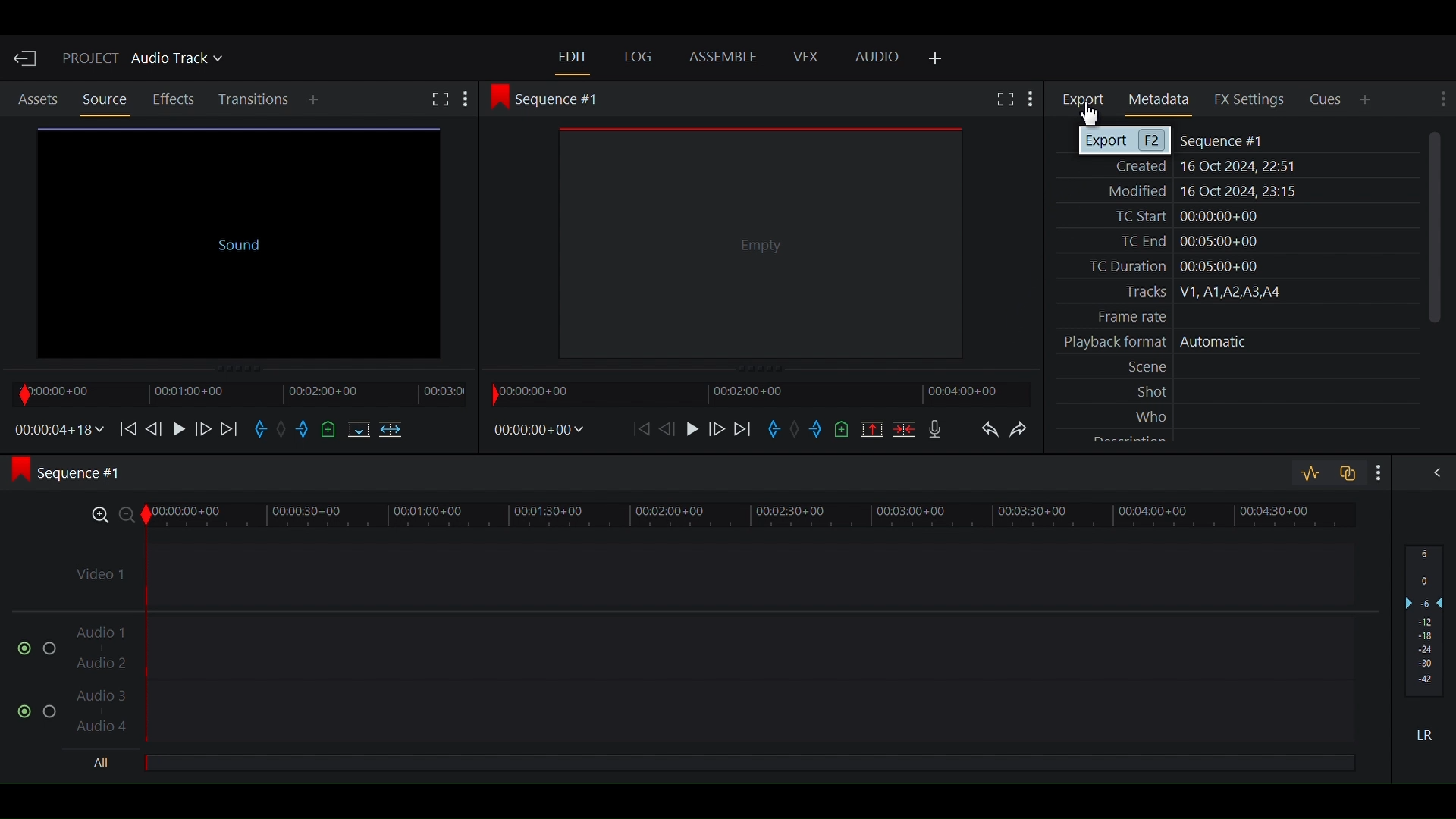 The image size is (1456, 819). Describe the element at coordinates (643, 428) in the screenshot. I see `Move backward` at that location.